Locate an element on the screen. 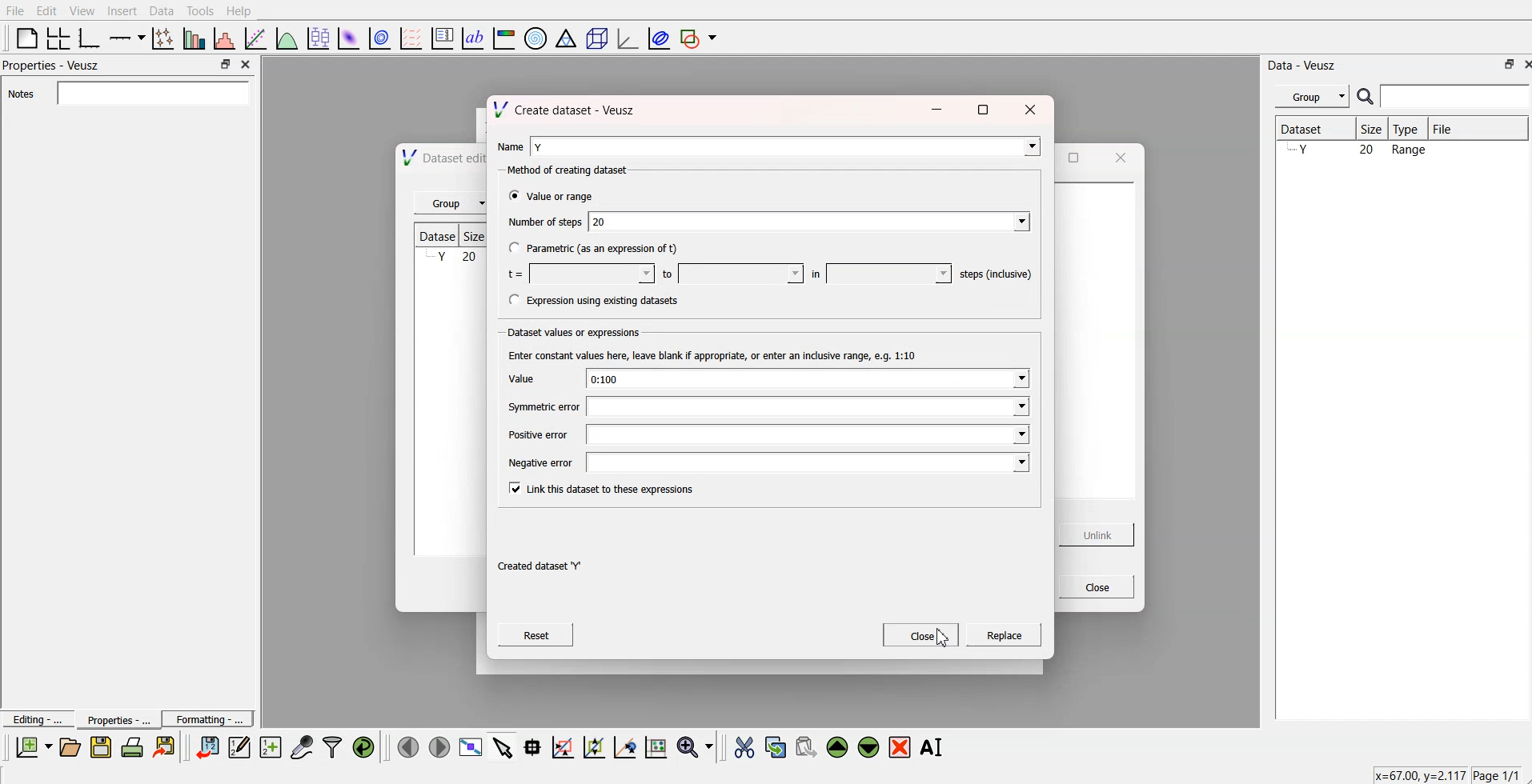 This screenshot has width=1532, height=784. cursor is located at coordinates (942, 639).